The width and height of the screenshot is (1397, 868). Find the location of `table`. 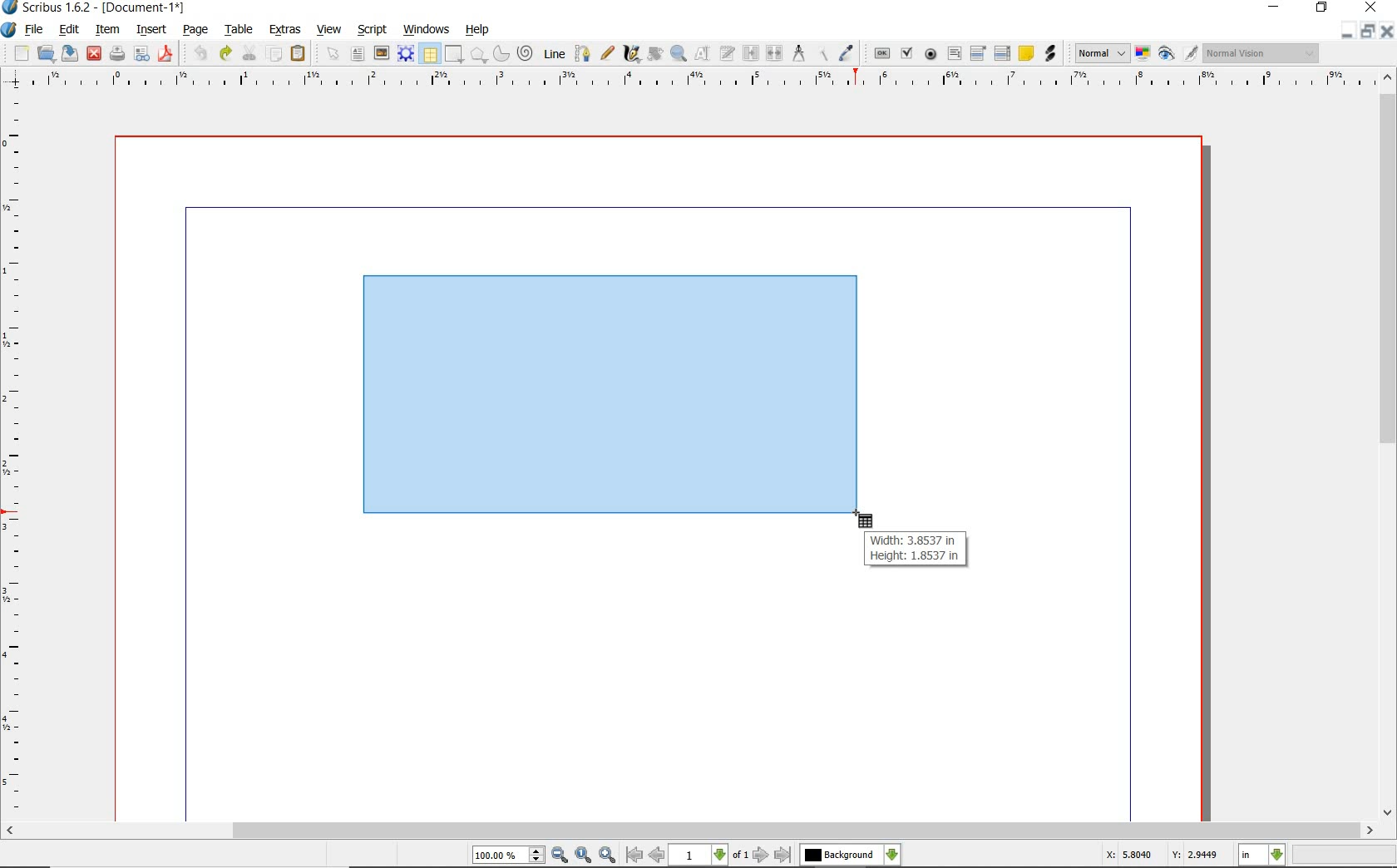

table is located at coordinates (240, 31).